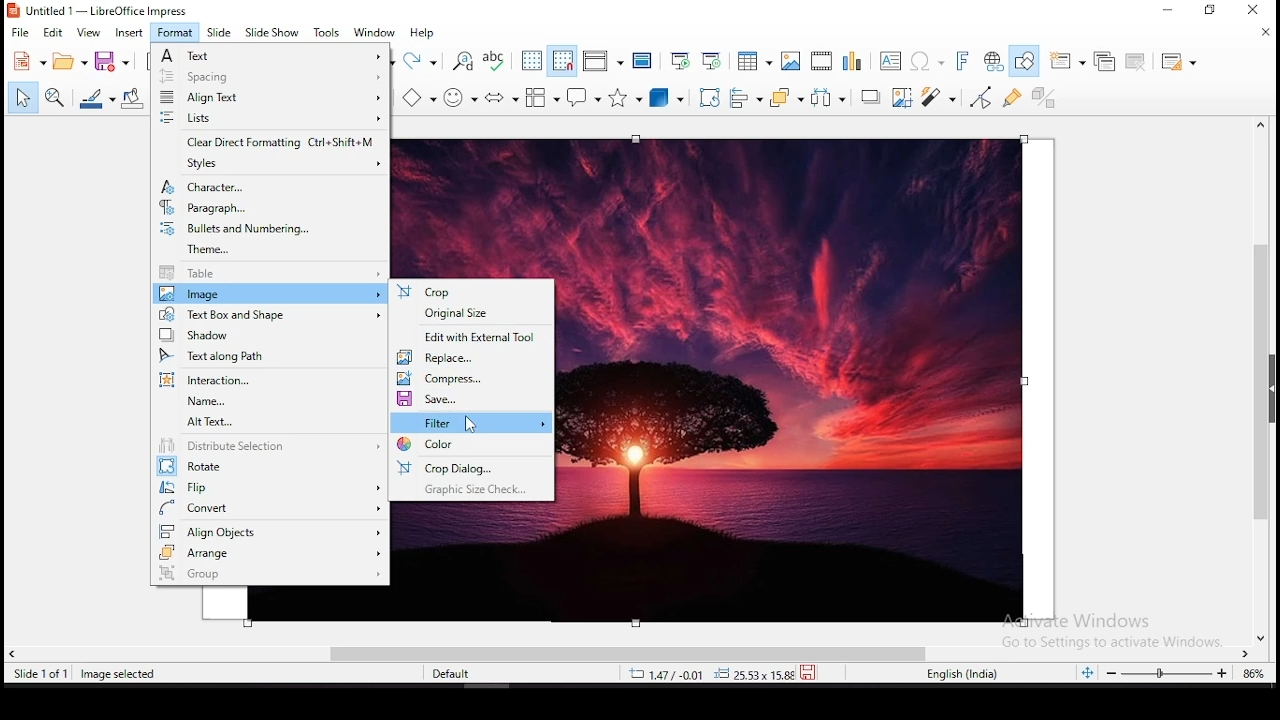  Describe the element at coordinates (464, 62) in the screenshot. I see `find and replace` at that location.